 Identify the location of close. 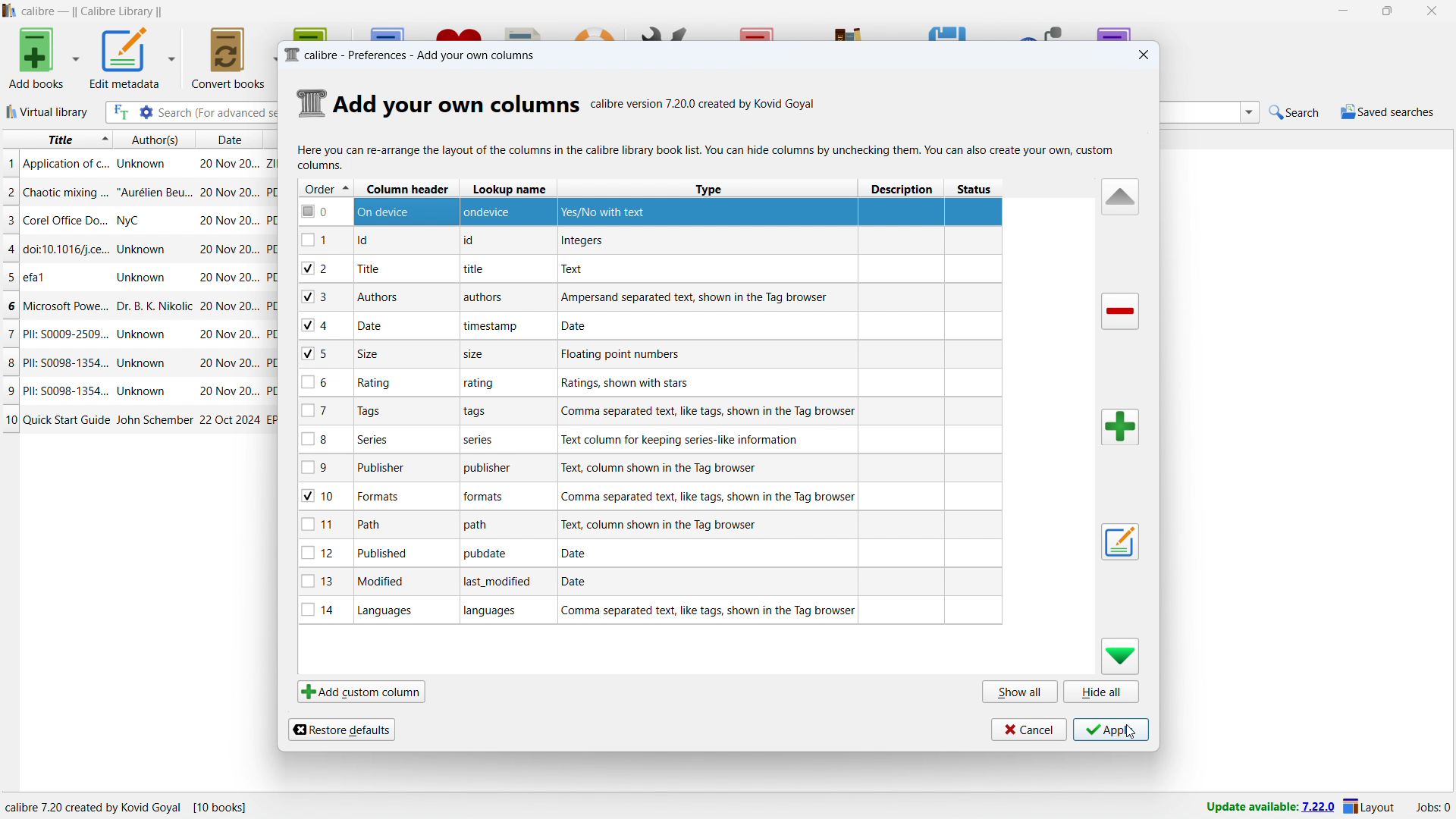
(1432, 11).